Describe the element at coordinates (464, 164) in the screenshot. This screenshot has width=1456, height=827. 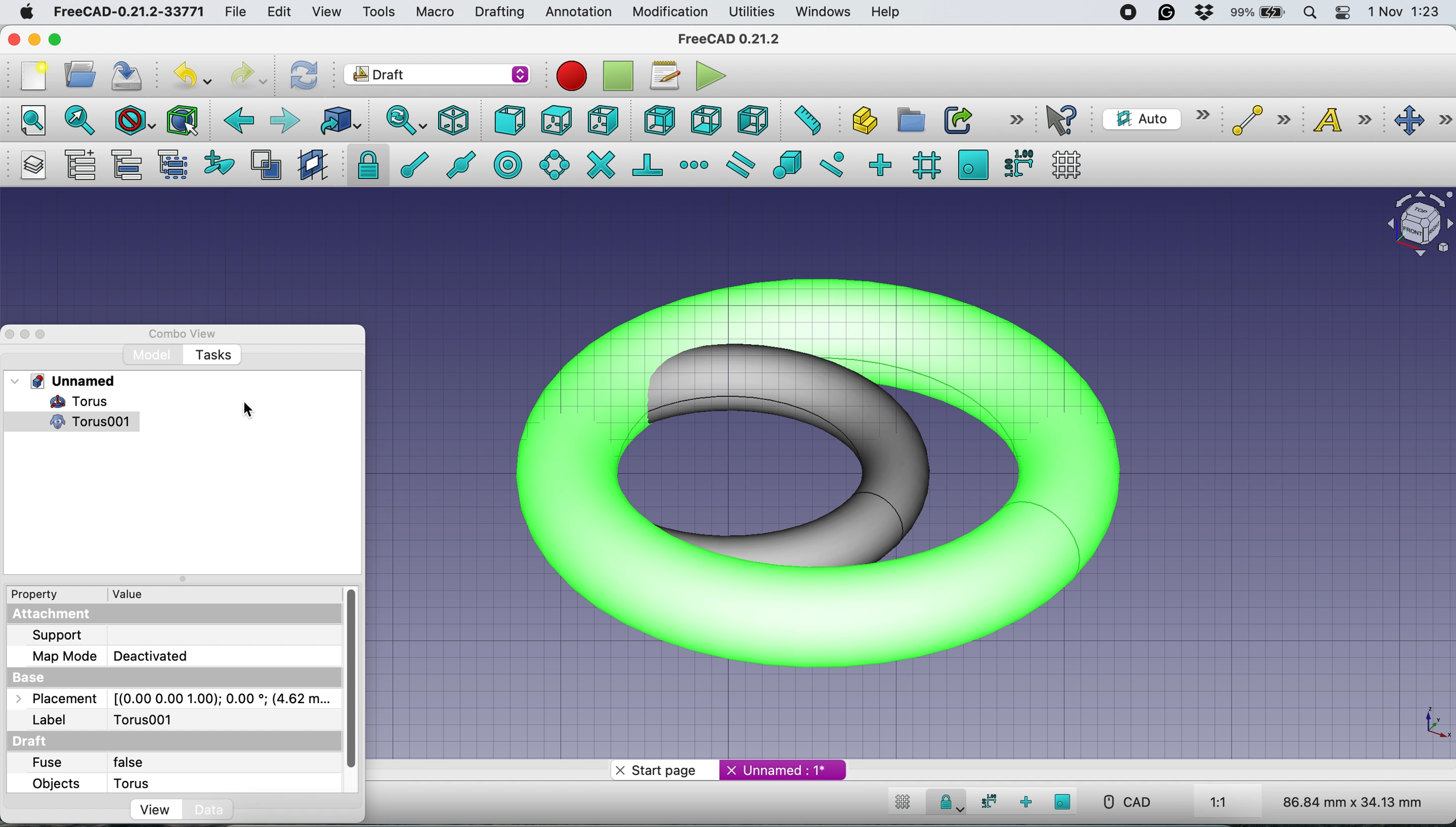
I see `snap midpoint` at that location.